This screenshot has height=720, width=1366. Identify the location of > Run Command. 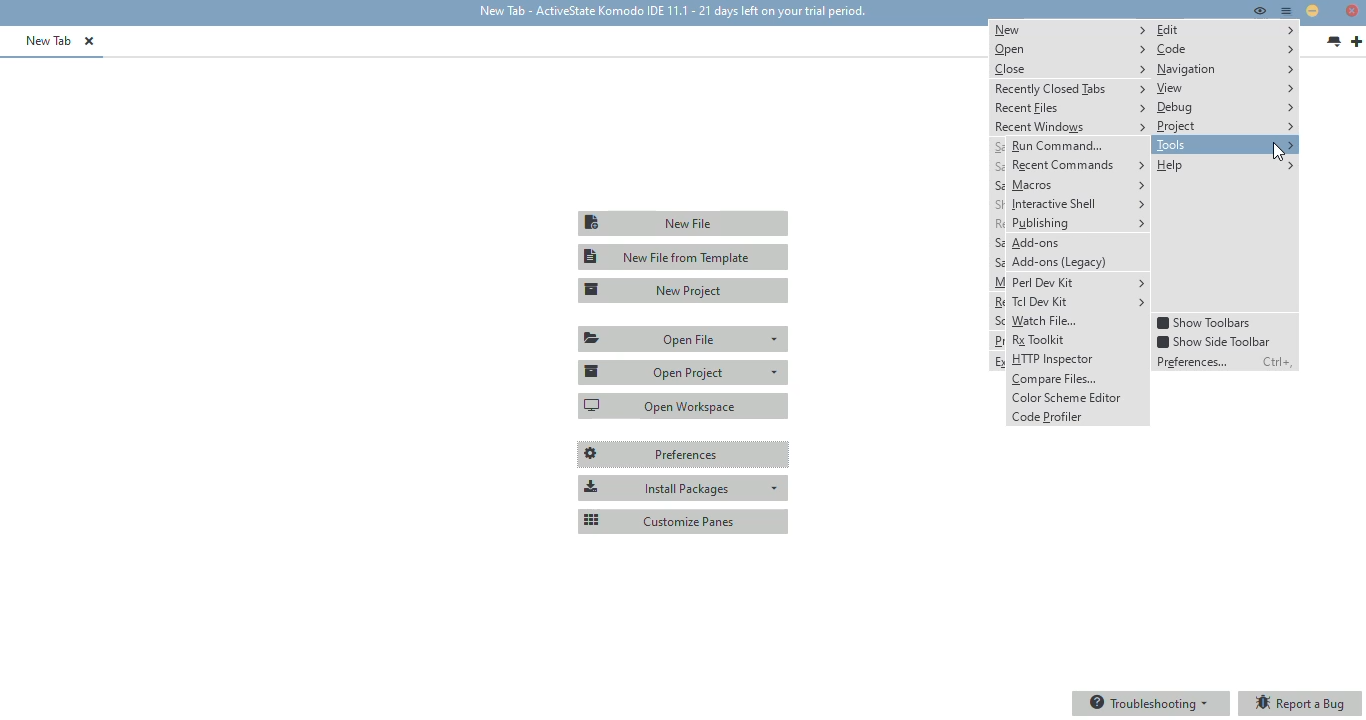
(1076, 145).